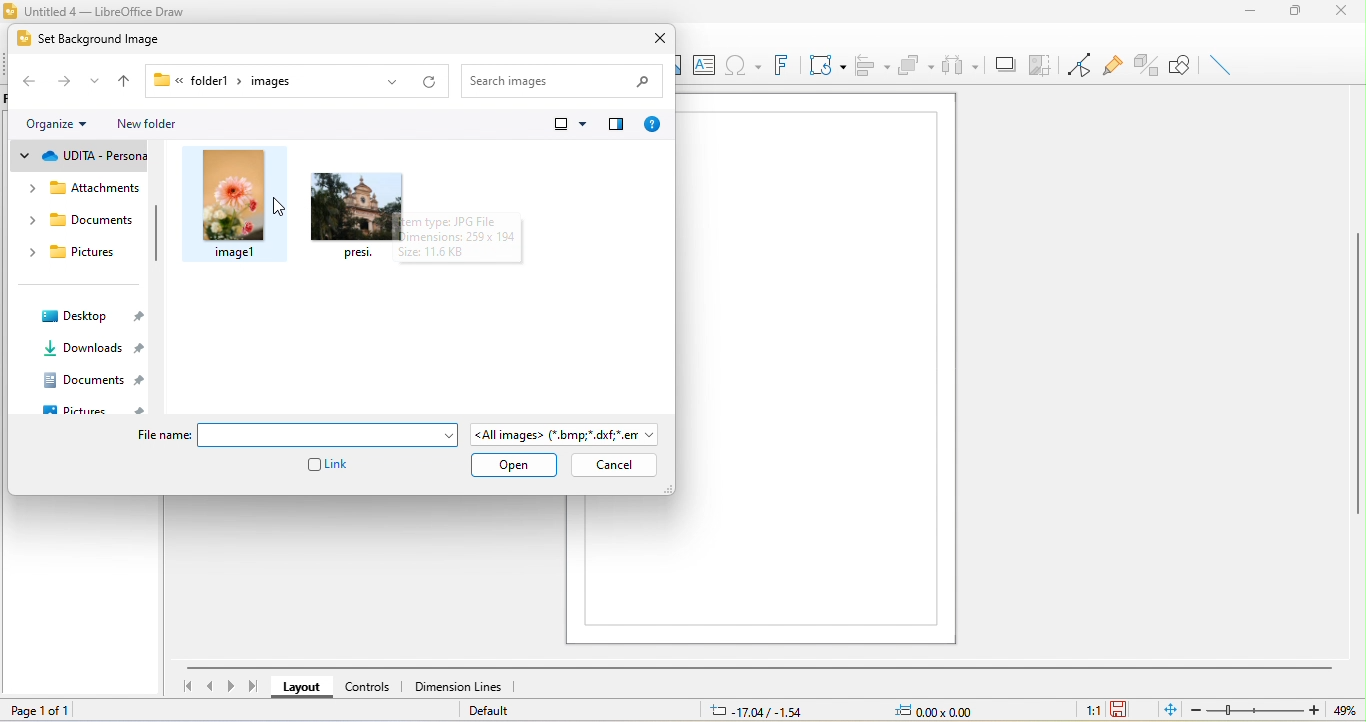  What do you see at coordinates (1357, 378) in the screenshot?
I see `vertical scroll bar` at bounding box center [1357, 378].